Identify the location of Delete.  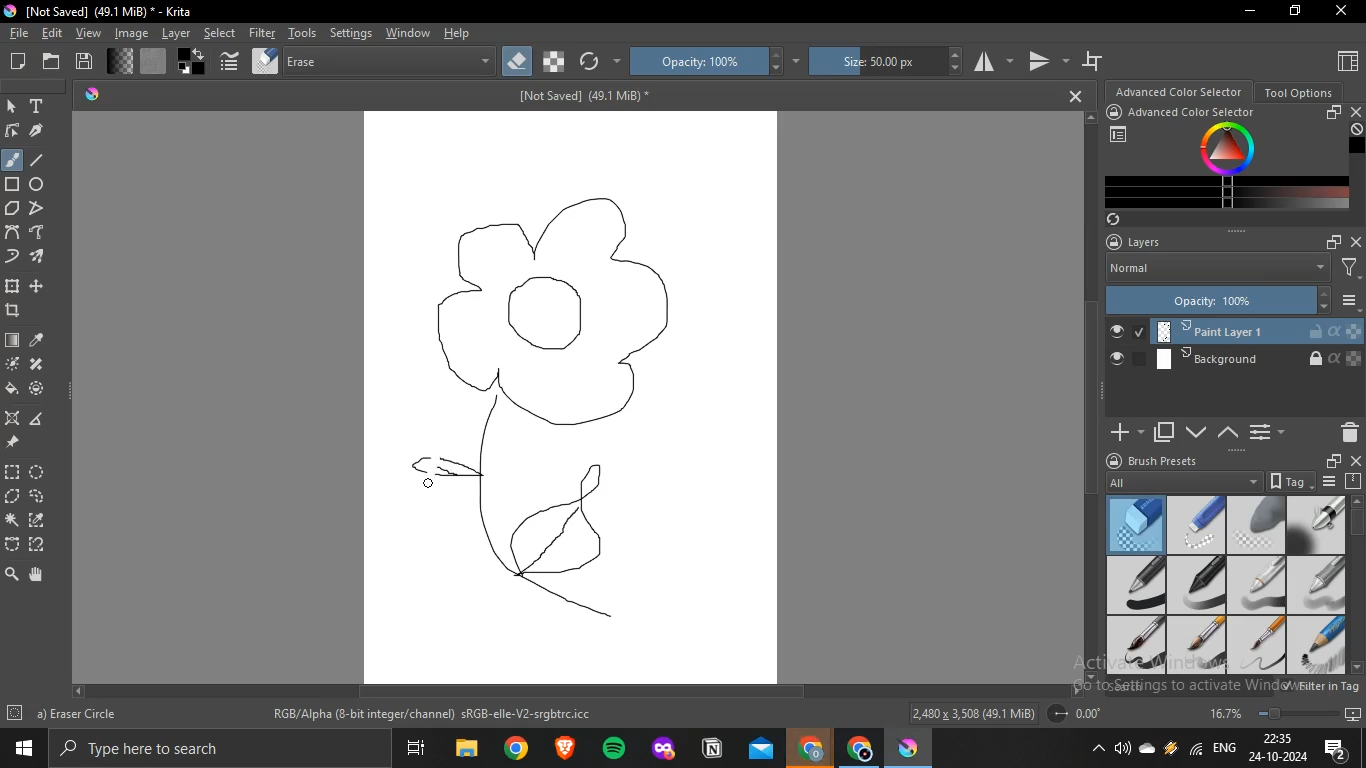
(1345, 433).